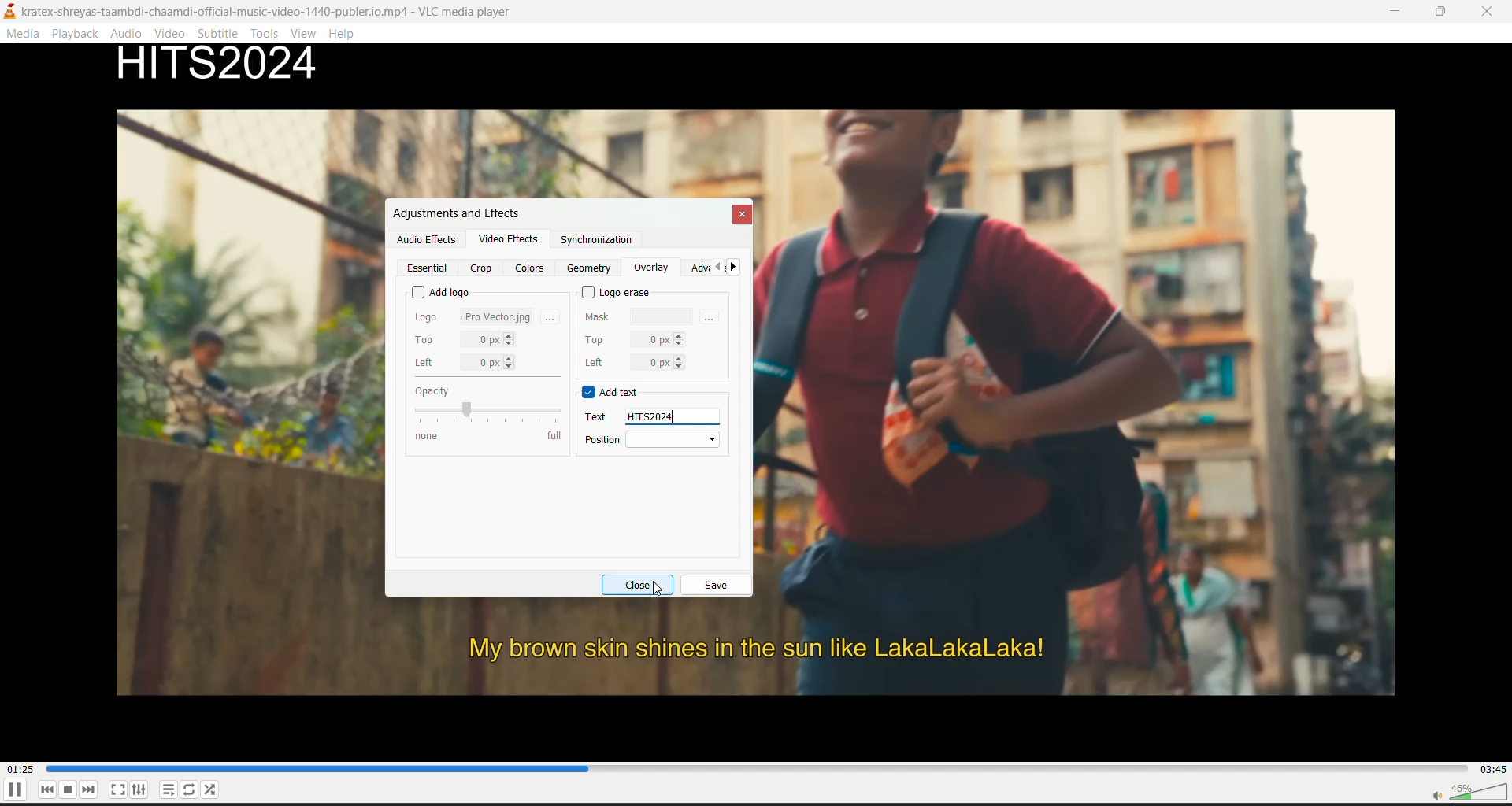 The image size is (1512, 806). I want to click on view, so click(305, 35).